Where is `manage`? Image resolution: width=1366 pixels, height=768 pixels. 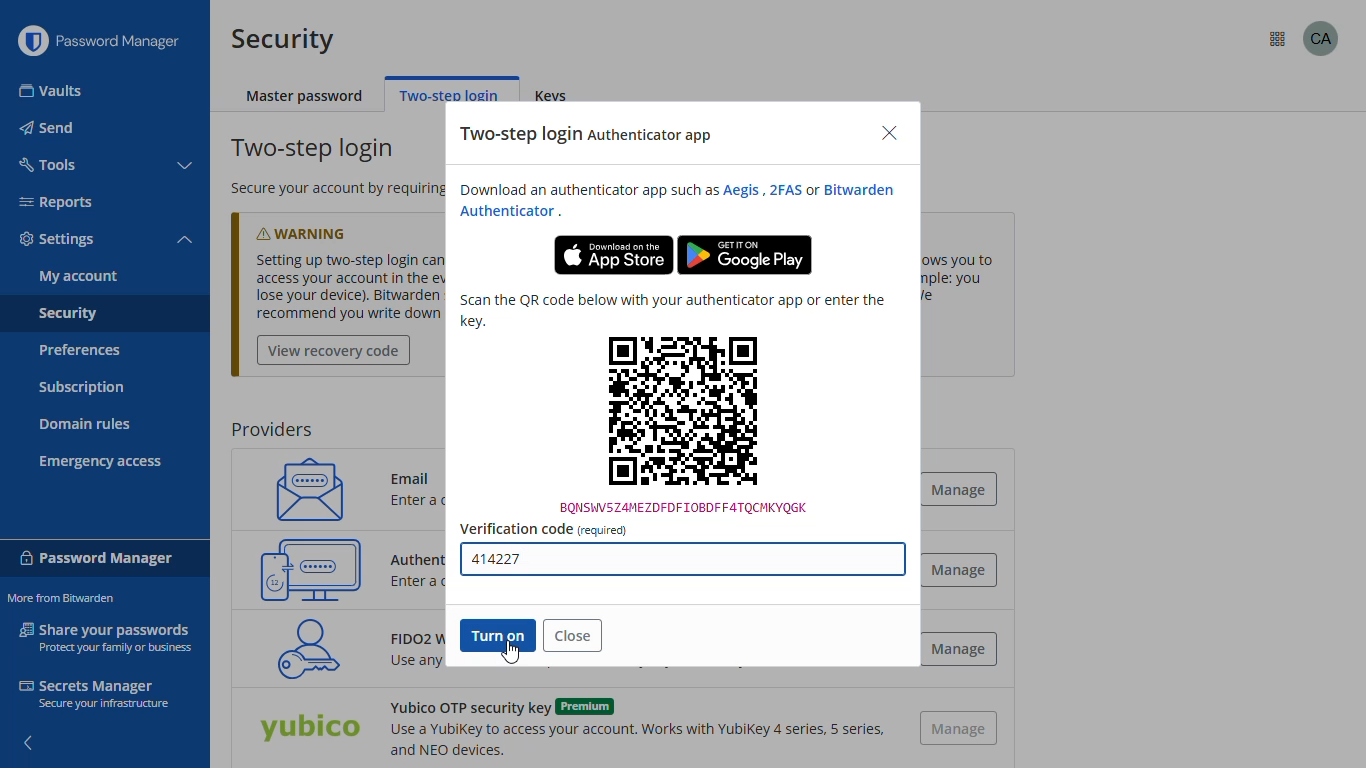 manage is located at coordinates (960, 729).